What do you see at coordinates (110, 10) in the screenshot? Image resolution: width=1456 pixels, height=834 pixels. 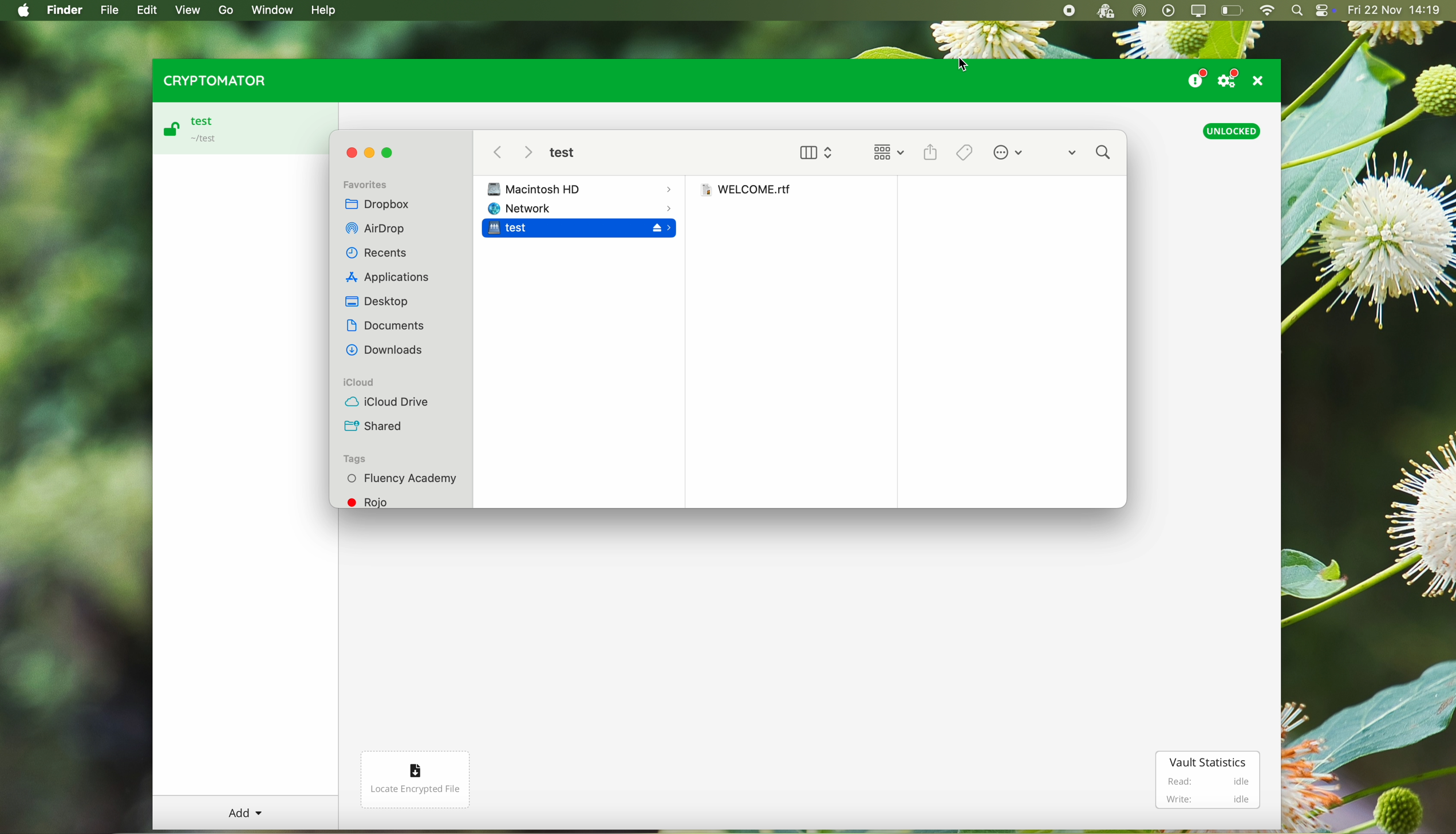 I see `File` at bounding box center [110, 10].